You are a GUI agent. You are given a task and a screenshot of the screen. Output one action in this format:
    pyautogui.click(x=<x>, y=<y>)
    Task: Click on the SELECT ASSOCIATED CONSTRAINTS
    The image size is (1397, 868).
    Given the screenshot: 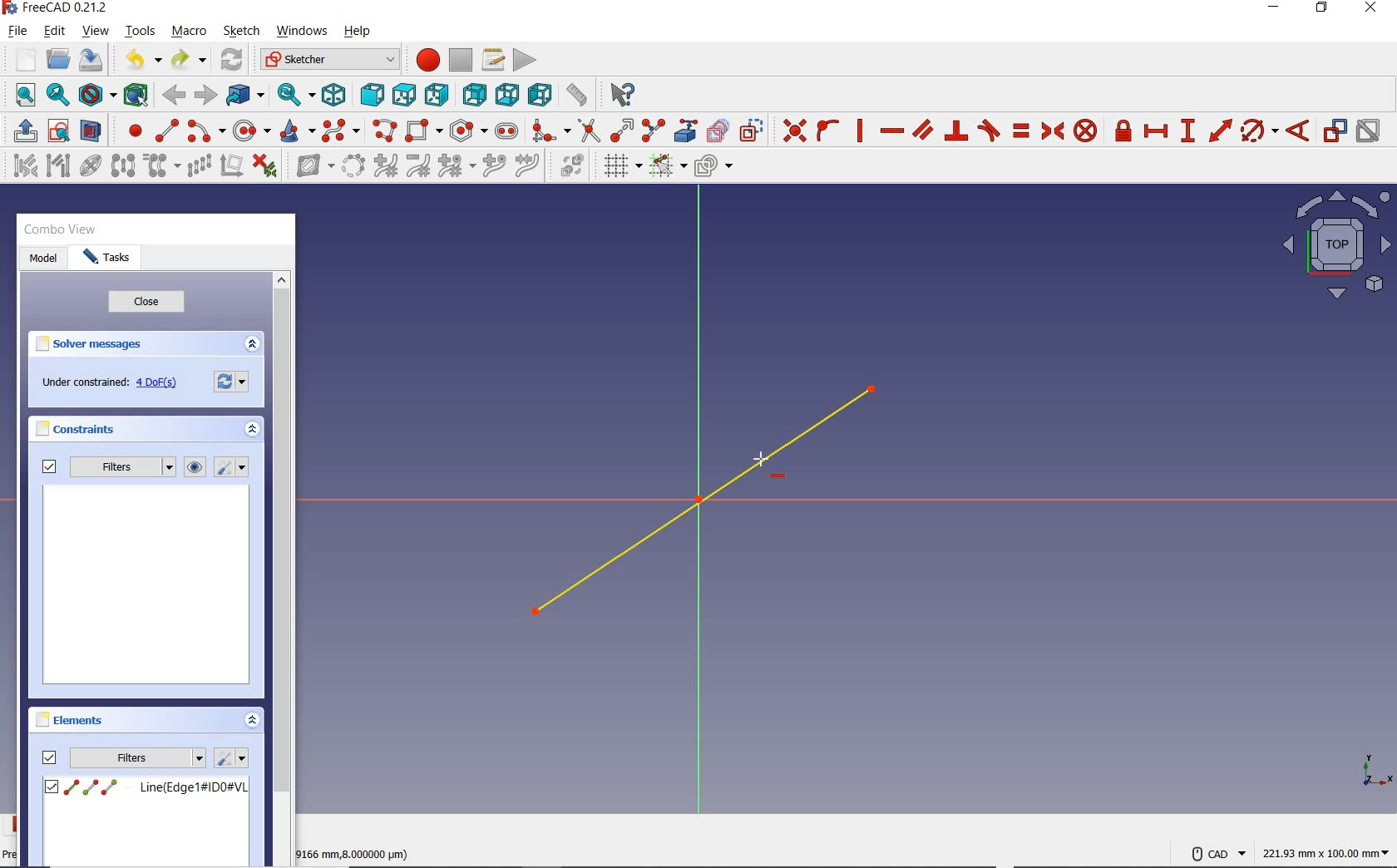 What is the action you would take?
    pyautogui.click(x=22, y=165)
    